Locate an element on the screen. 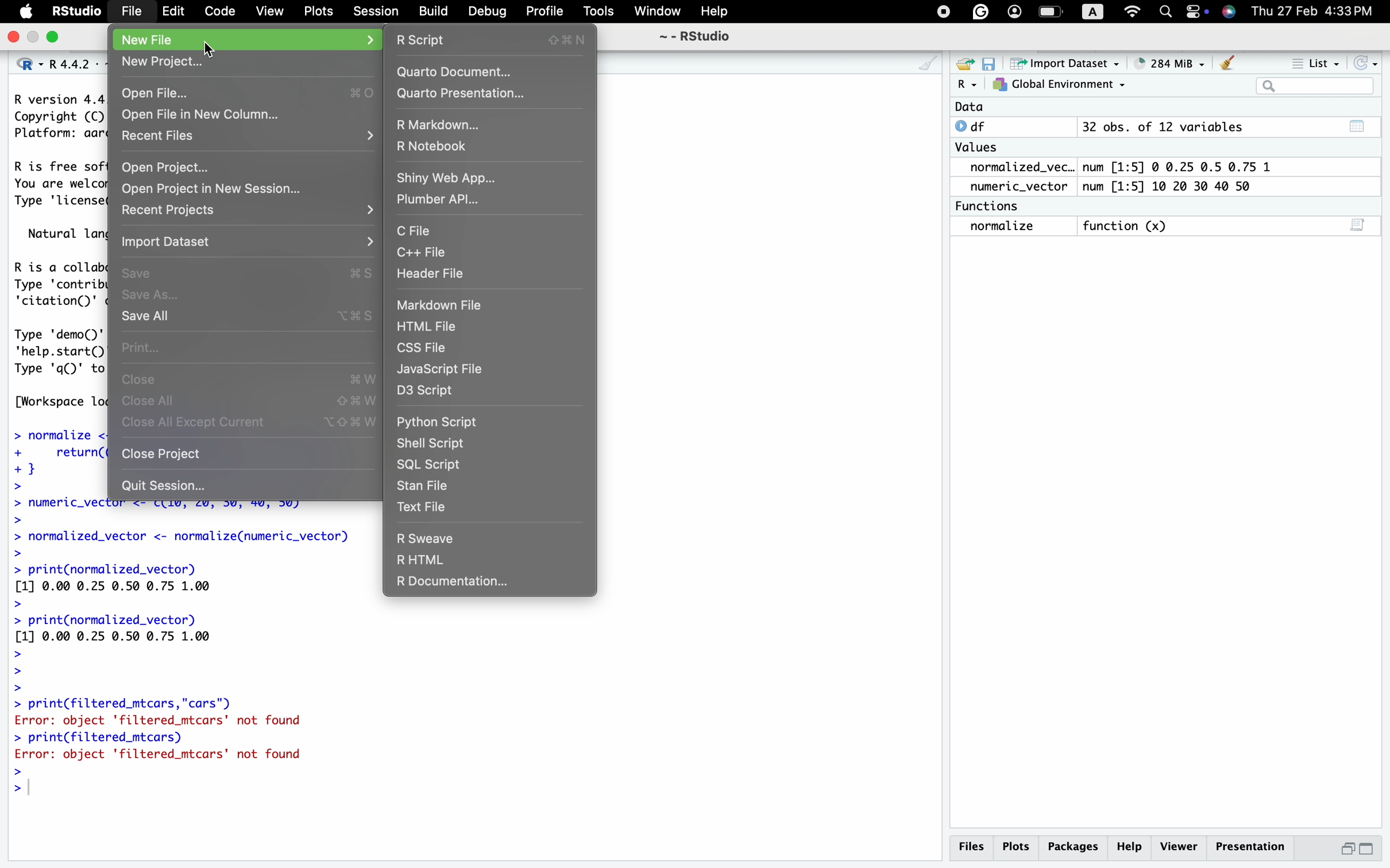  New File is located at coordinates (152, 40).